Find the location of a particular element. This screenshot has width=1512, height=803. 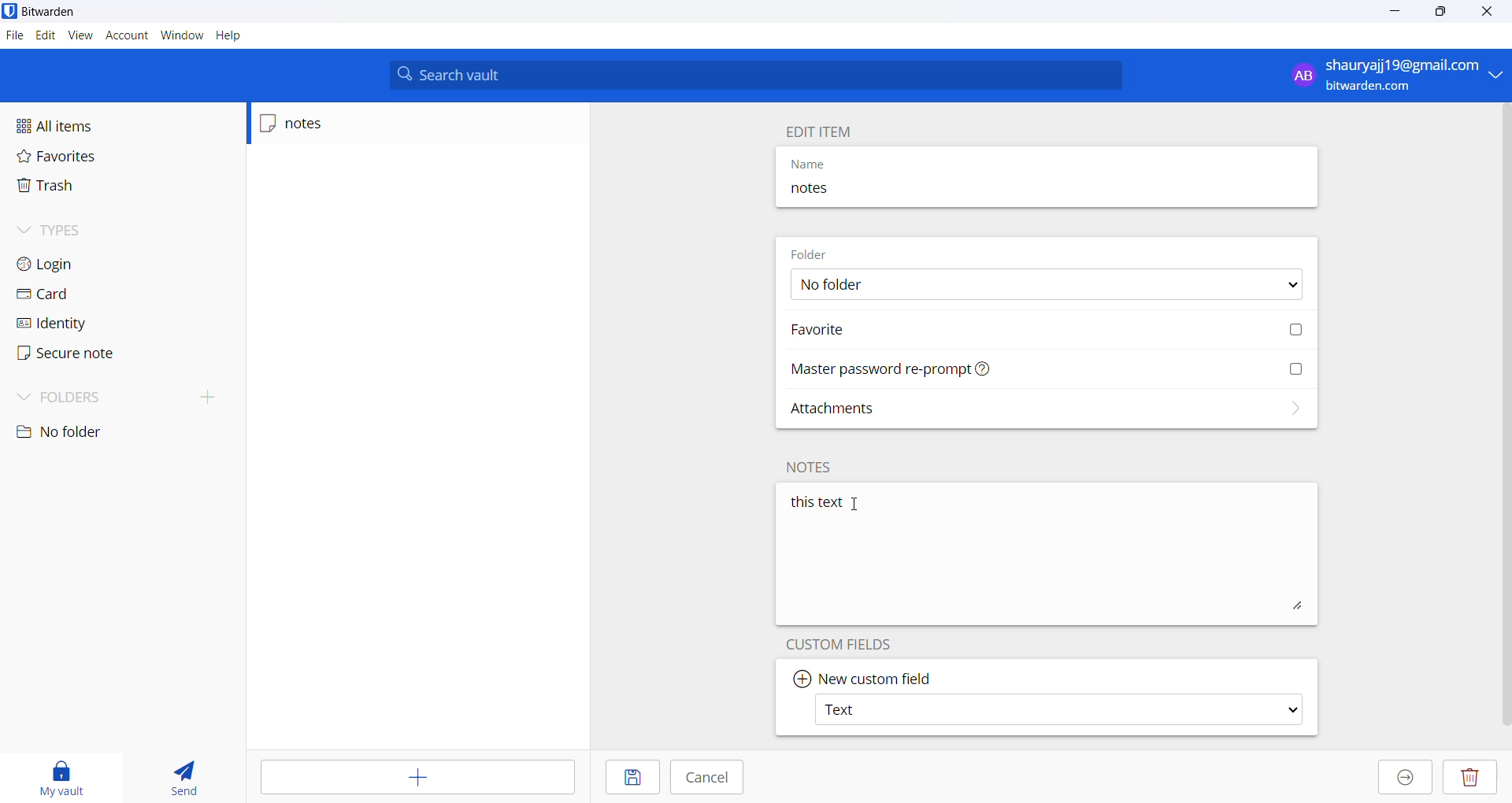

window is located at coordinates (179, 37).